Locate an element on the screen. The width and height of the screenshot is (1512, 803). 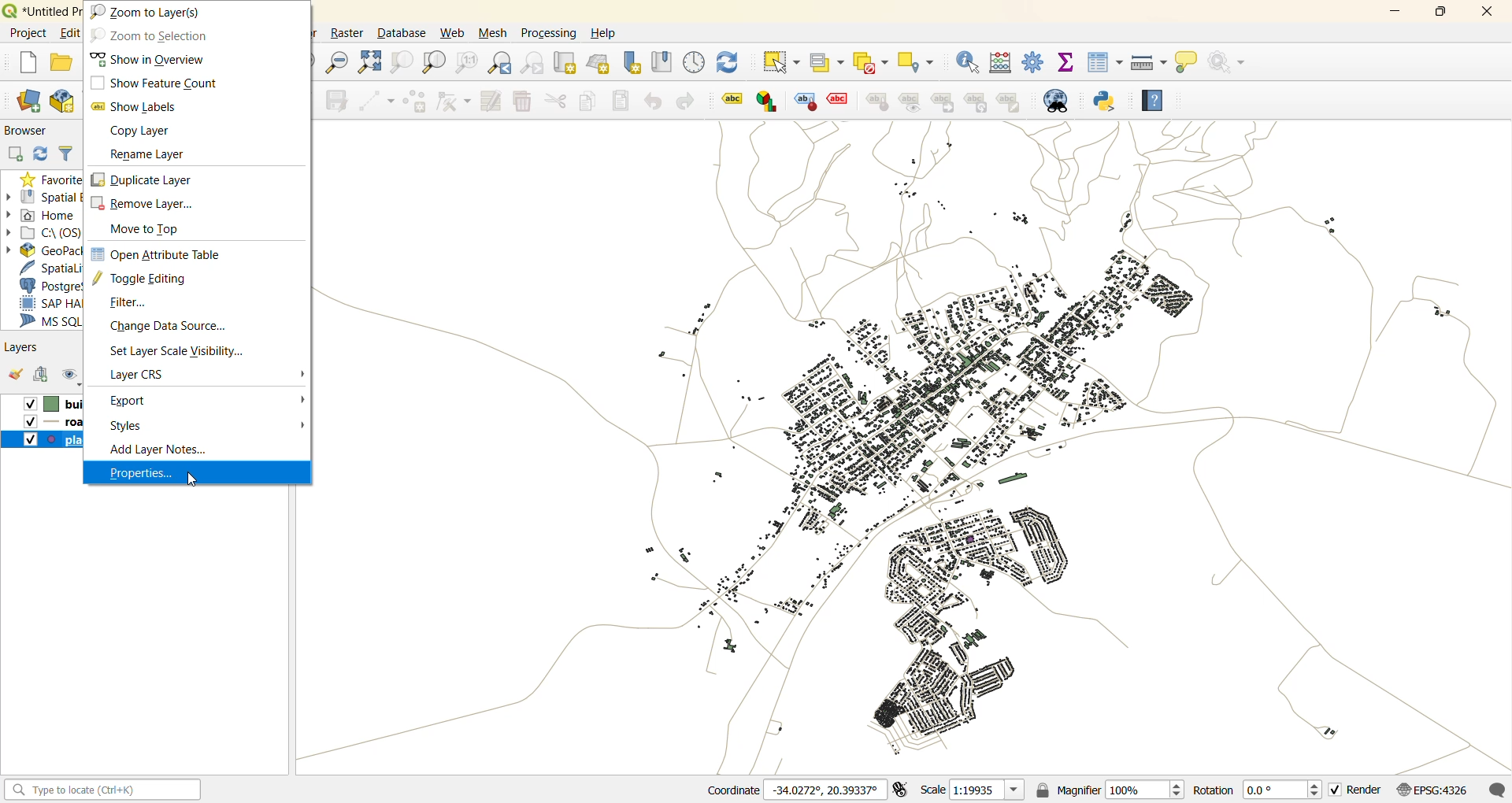
project is located at coordinates (28, 32).